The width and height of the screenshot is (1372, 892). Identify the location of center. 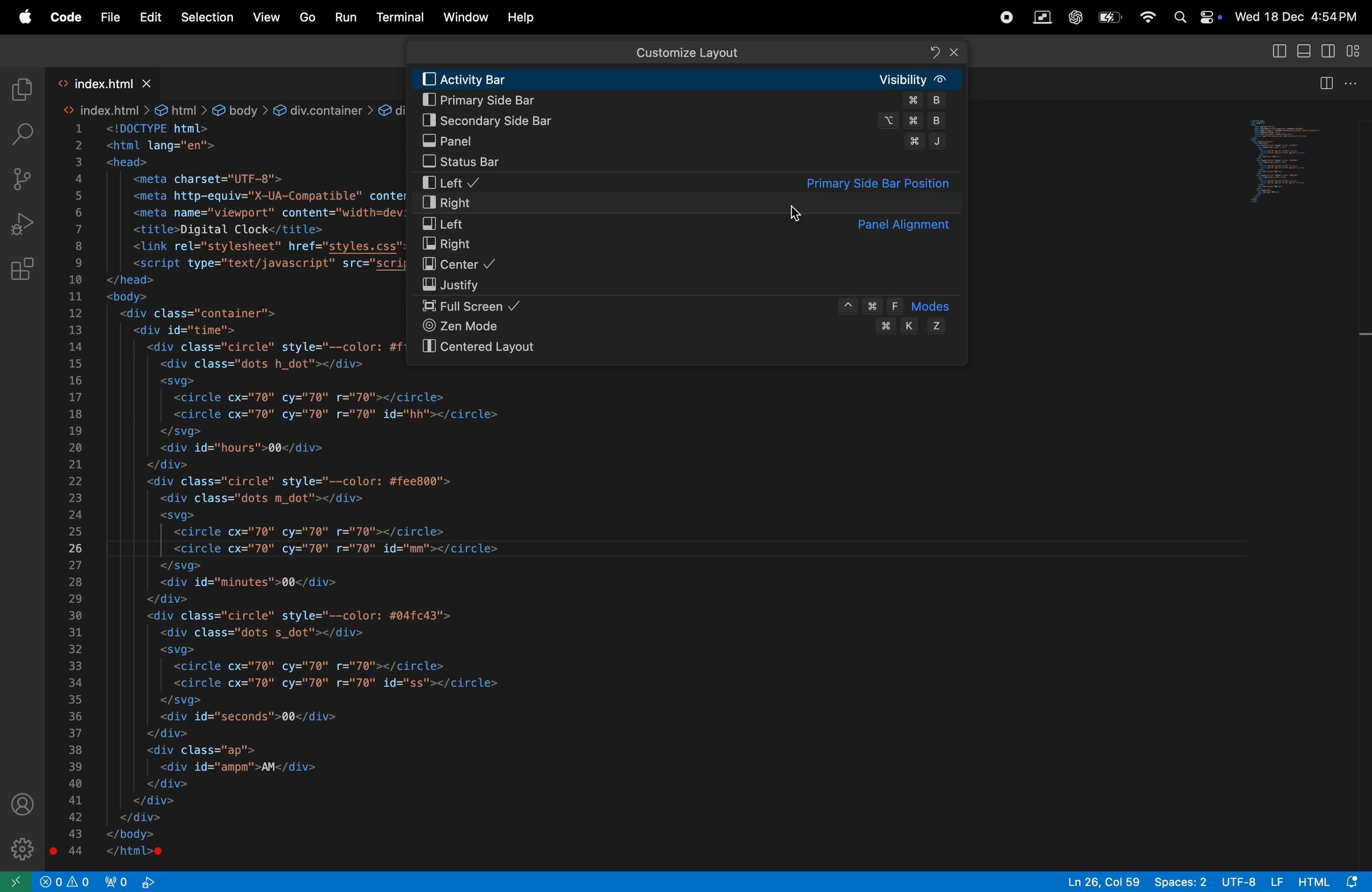
(691, 266).